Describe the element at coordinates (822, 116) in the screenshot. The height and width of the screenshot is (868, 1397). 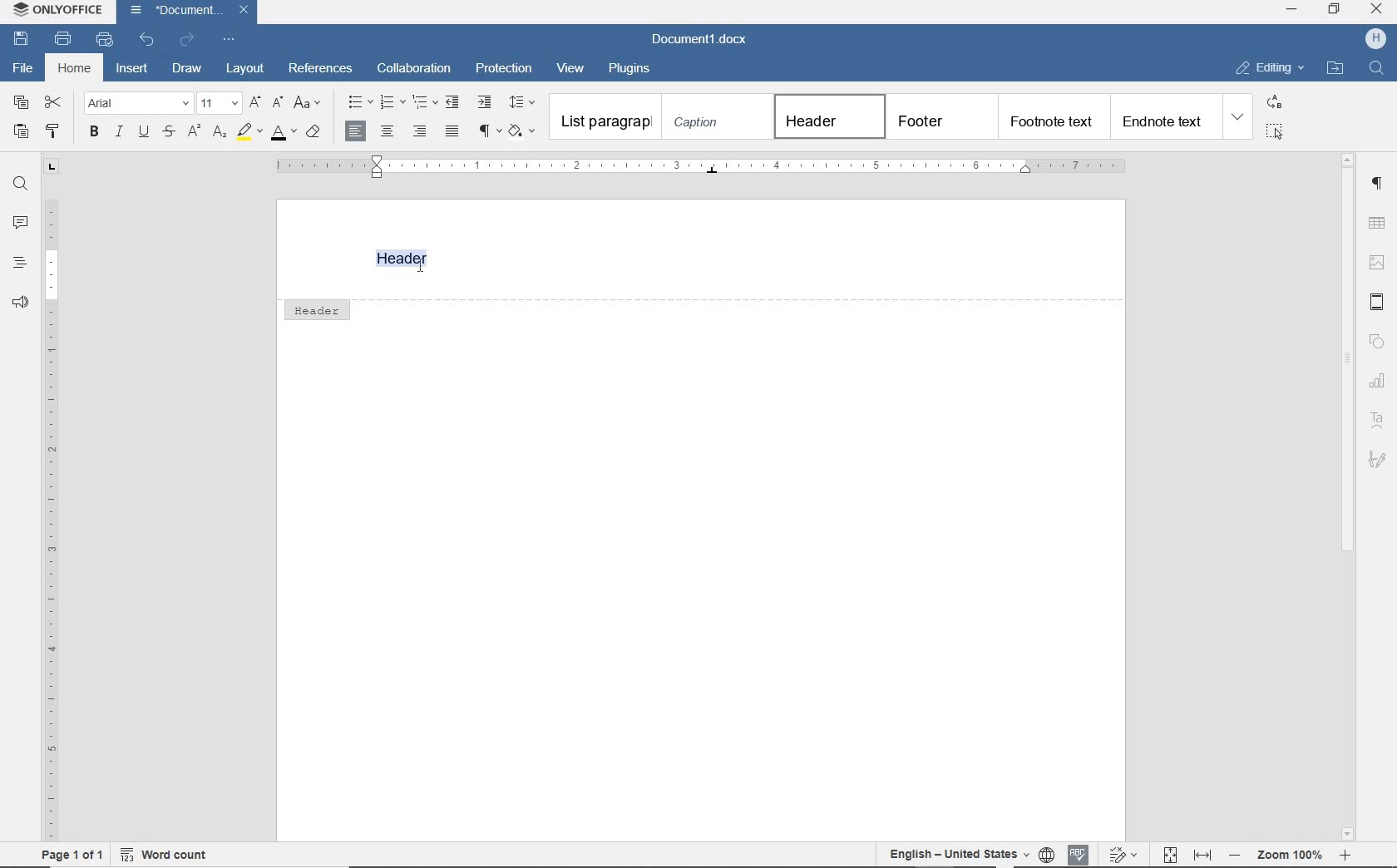
I see `Heading1` at that location.